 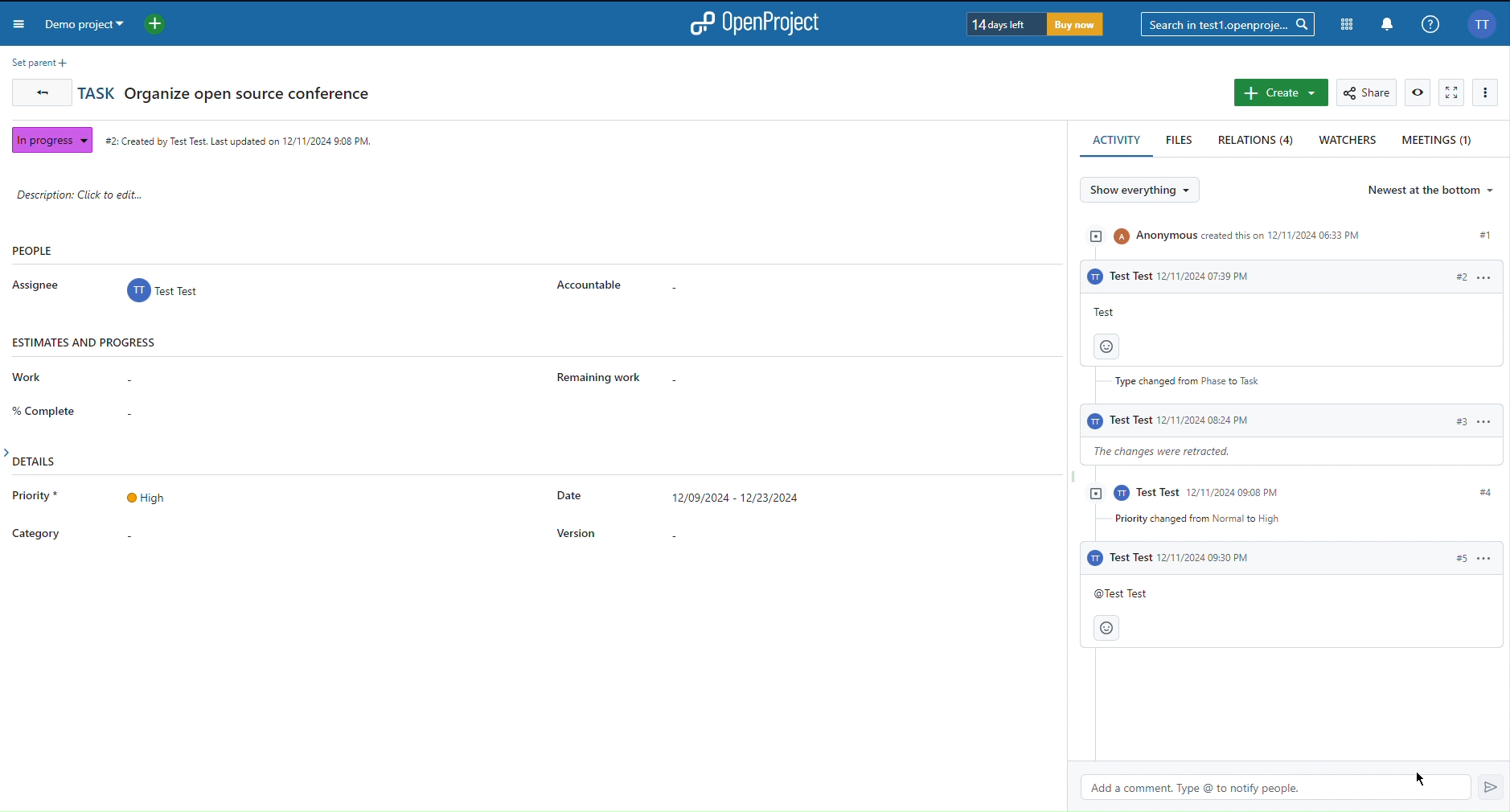 I want to click on Files, so click(x=1181, y=141).